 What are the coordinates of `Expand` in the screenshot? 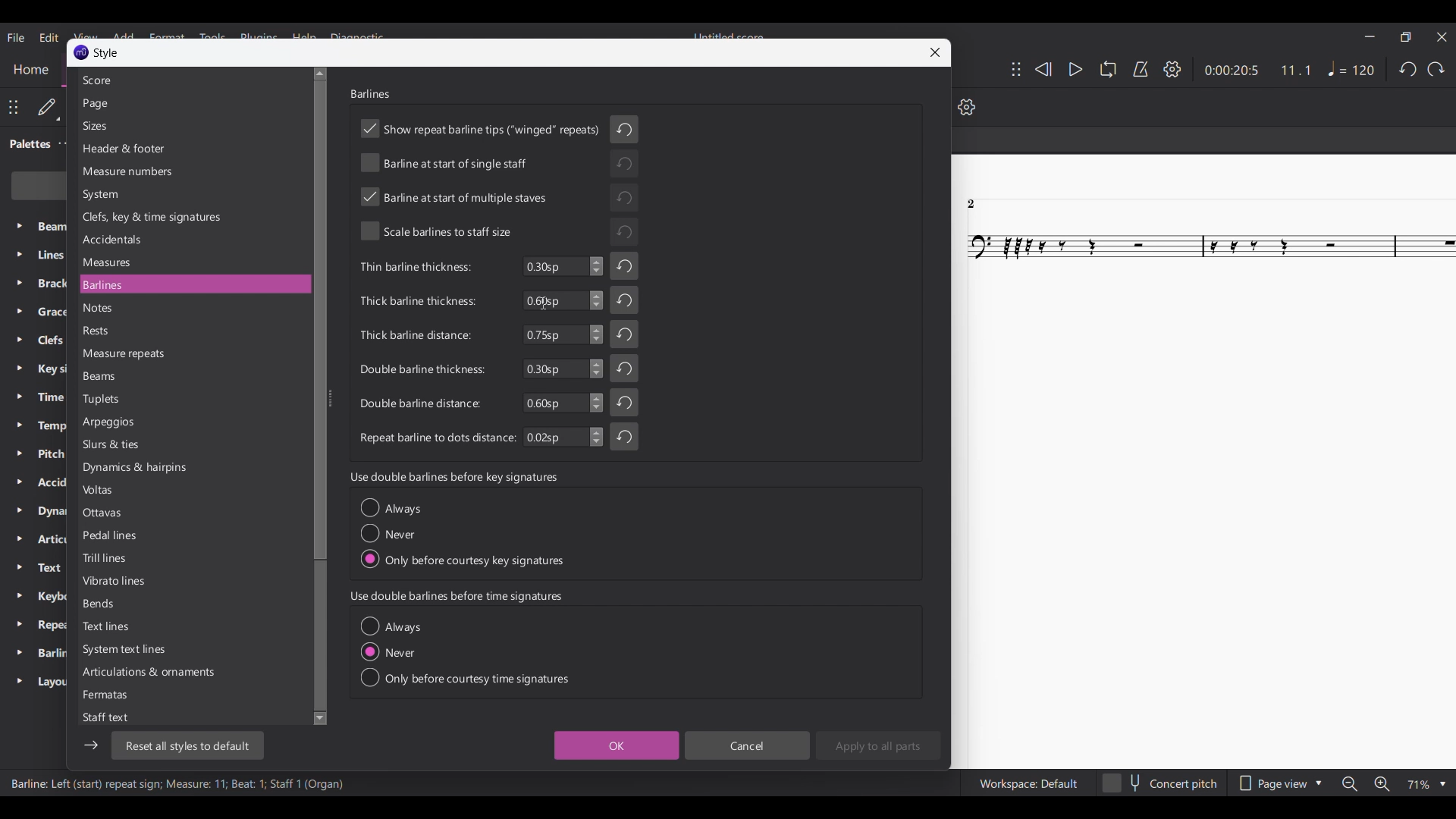 It's located at (19, 454).